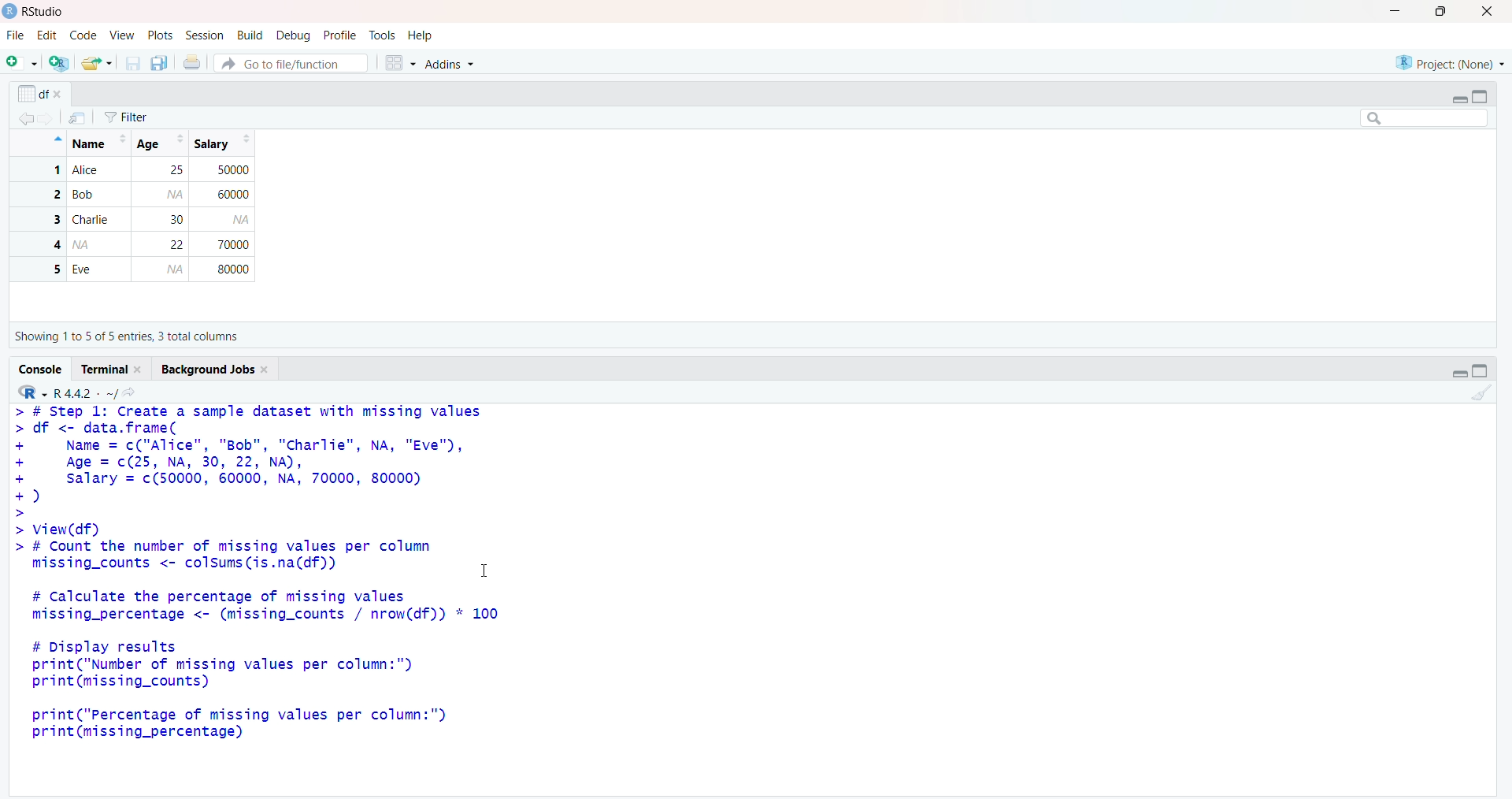 Image resolution: width=1512 pixels, height=799 pixels. I want to click on Background Jobs, so click(213, 370).